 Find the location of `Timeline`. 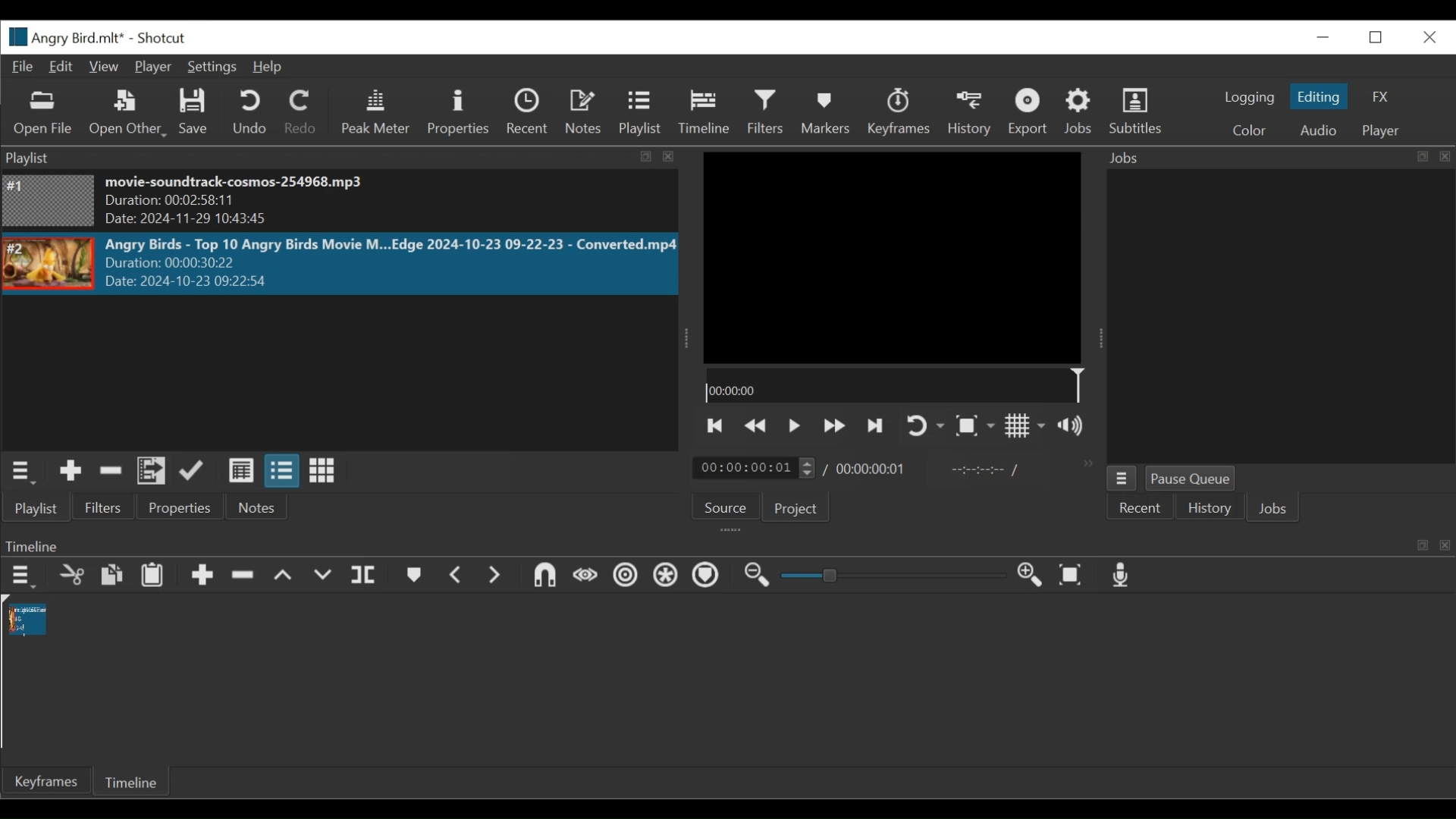

Timeline is located at coordinates (135, 781).